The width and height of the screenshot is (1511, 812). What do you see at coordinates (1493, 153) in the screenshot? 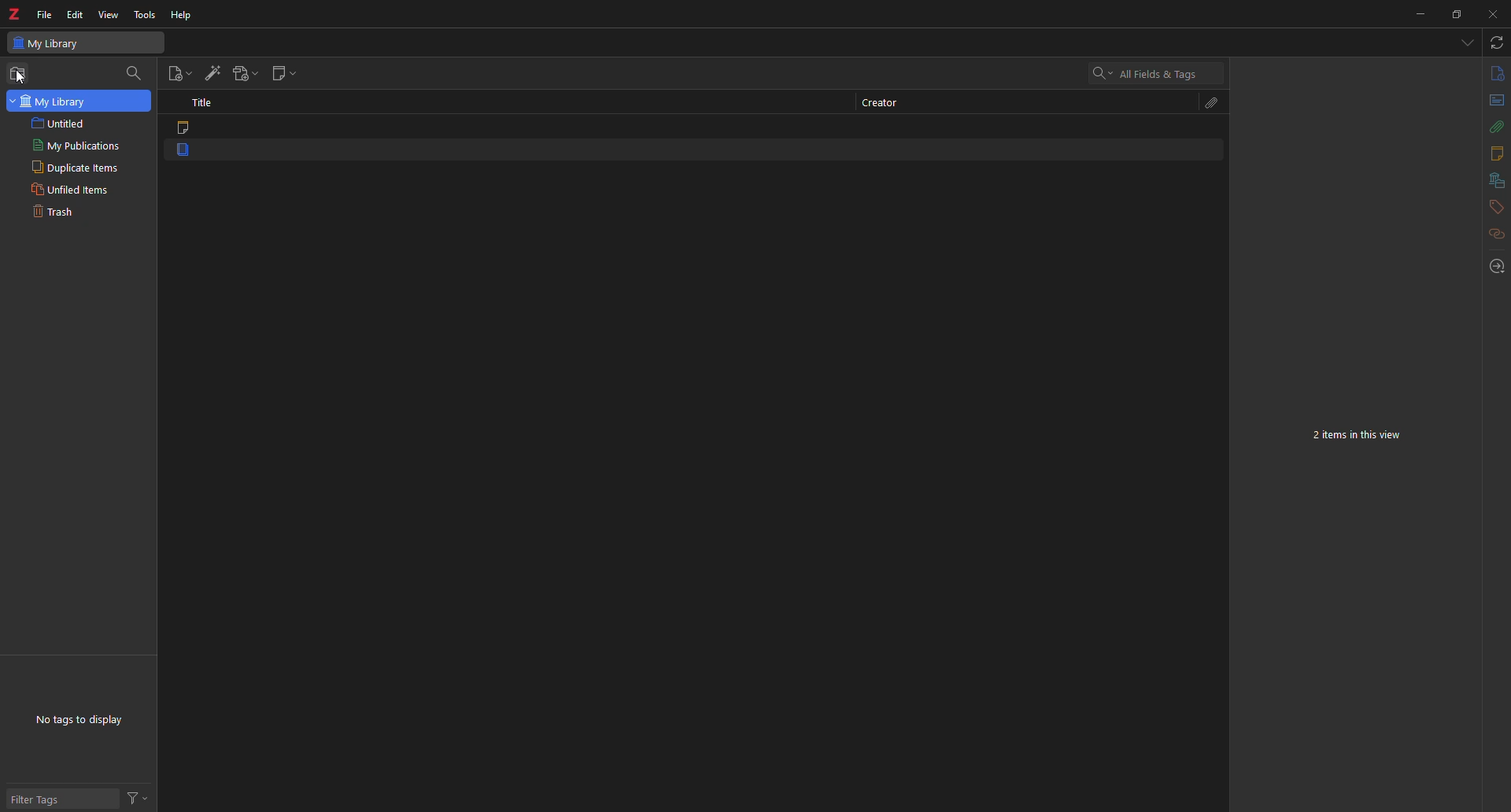
I see `notes` at bounding box center [1493, 153].